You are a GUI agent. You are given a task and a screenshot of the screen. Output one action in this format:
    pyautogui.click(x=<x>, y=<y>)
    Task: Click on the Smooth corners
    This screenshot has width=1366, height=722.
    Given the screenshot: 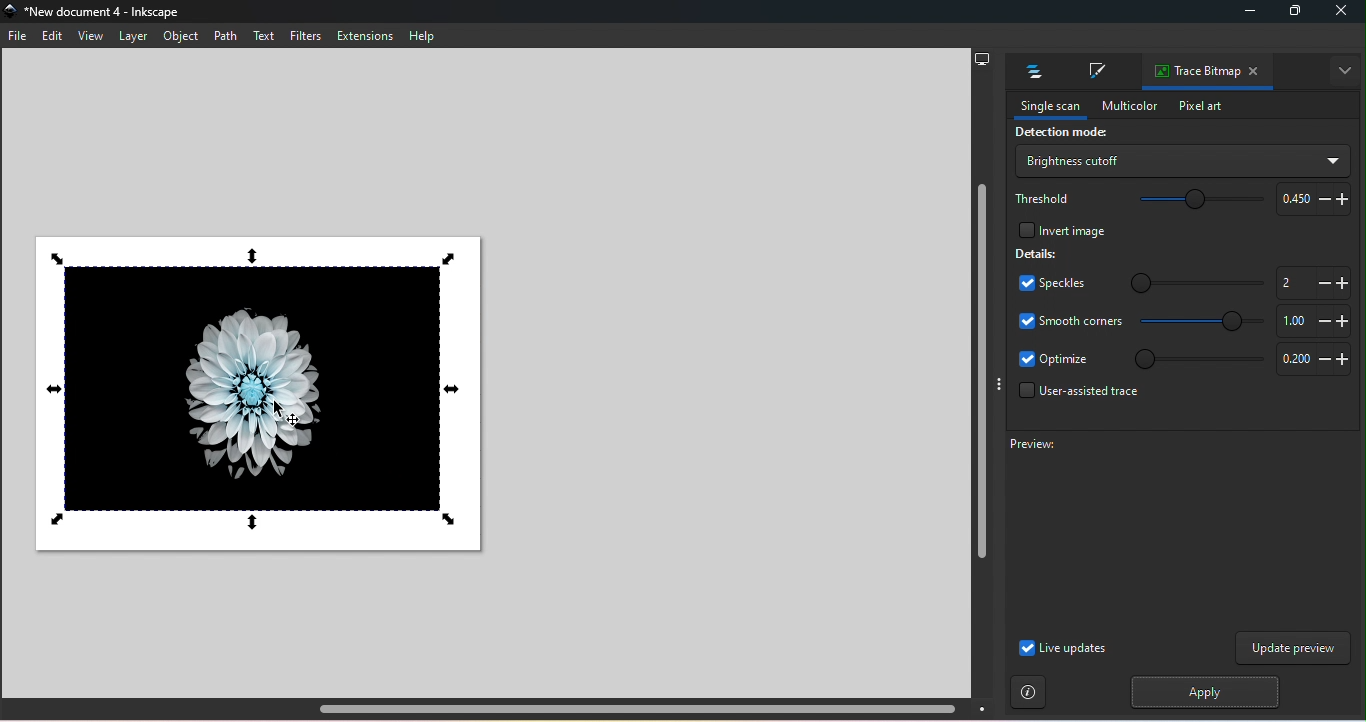 What is the action you would take?
    pyautogui.click(x=1070, y=320)
    